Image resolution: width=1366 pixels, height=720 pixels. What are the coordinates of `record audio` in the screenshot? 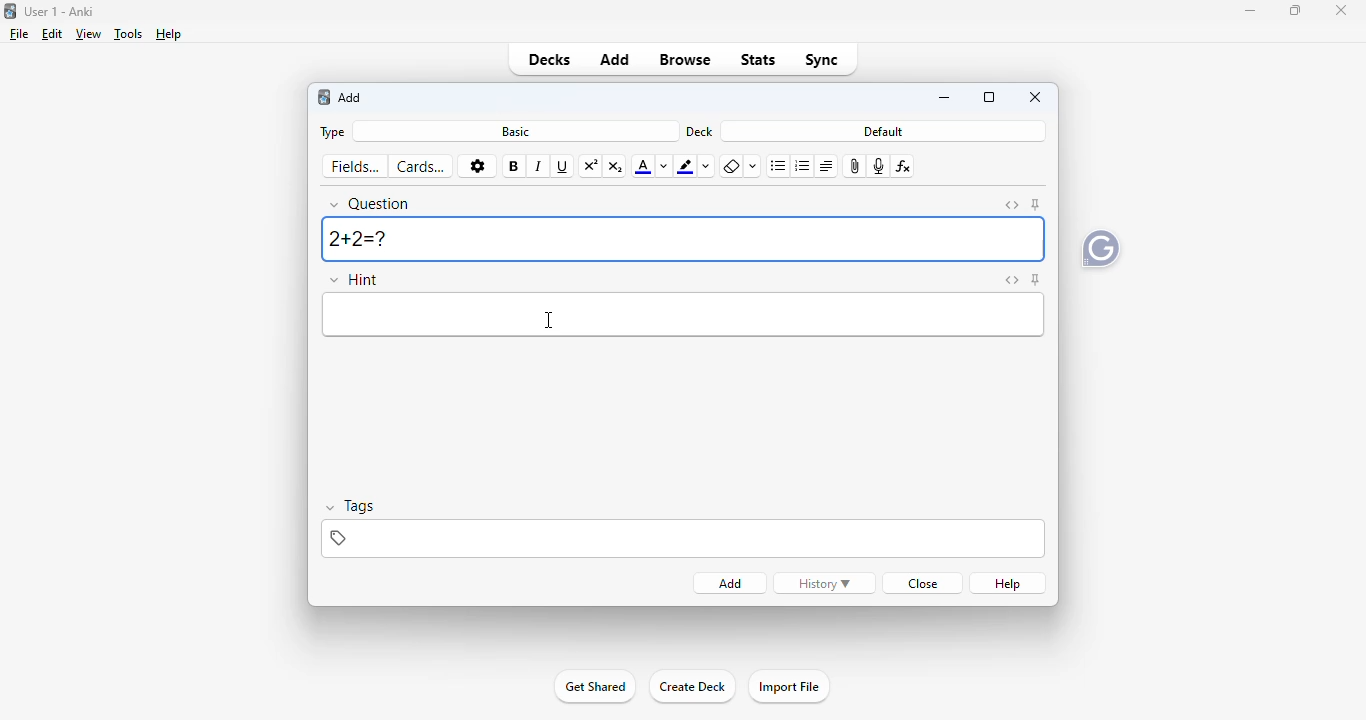 It's located at (879, 166).